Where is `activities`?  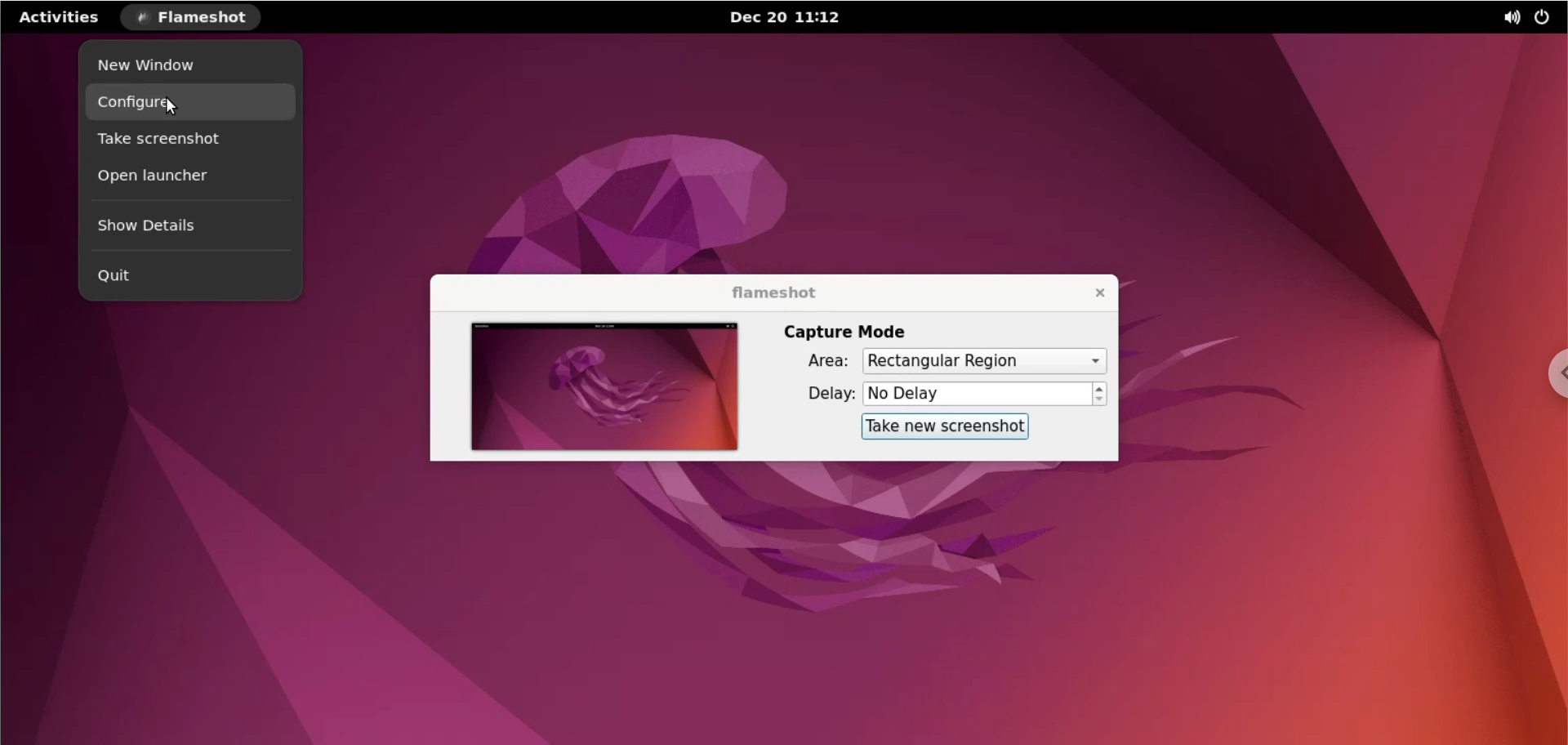
activities is located at coordinates (60, 20).